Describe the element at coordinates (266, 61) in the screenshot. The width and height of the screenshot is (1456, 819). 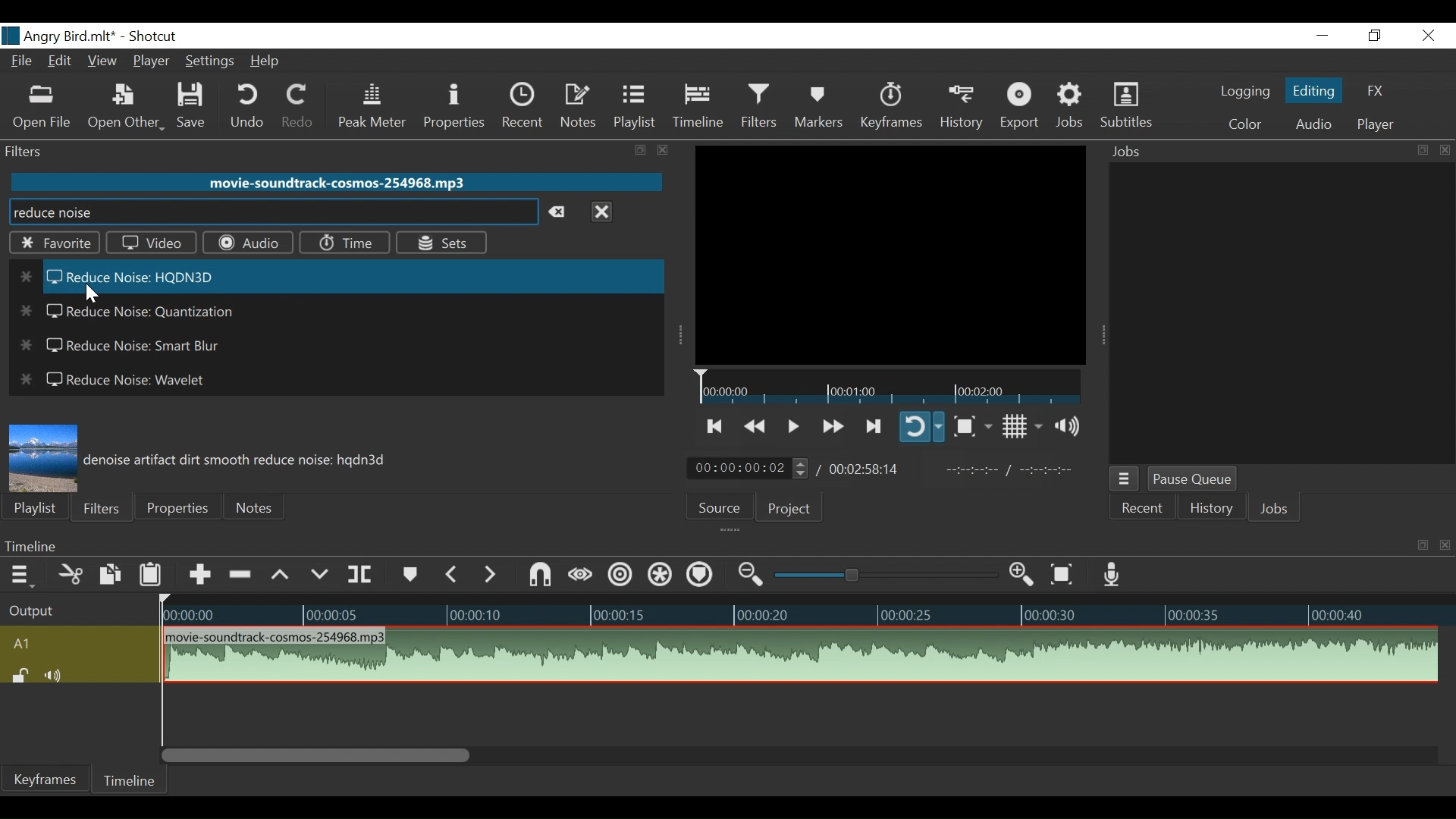
I see `Help` at that location.